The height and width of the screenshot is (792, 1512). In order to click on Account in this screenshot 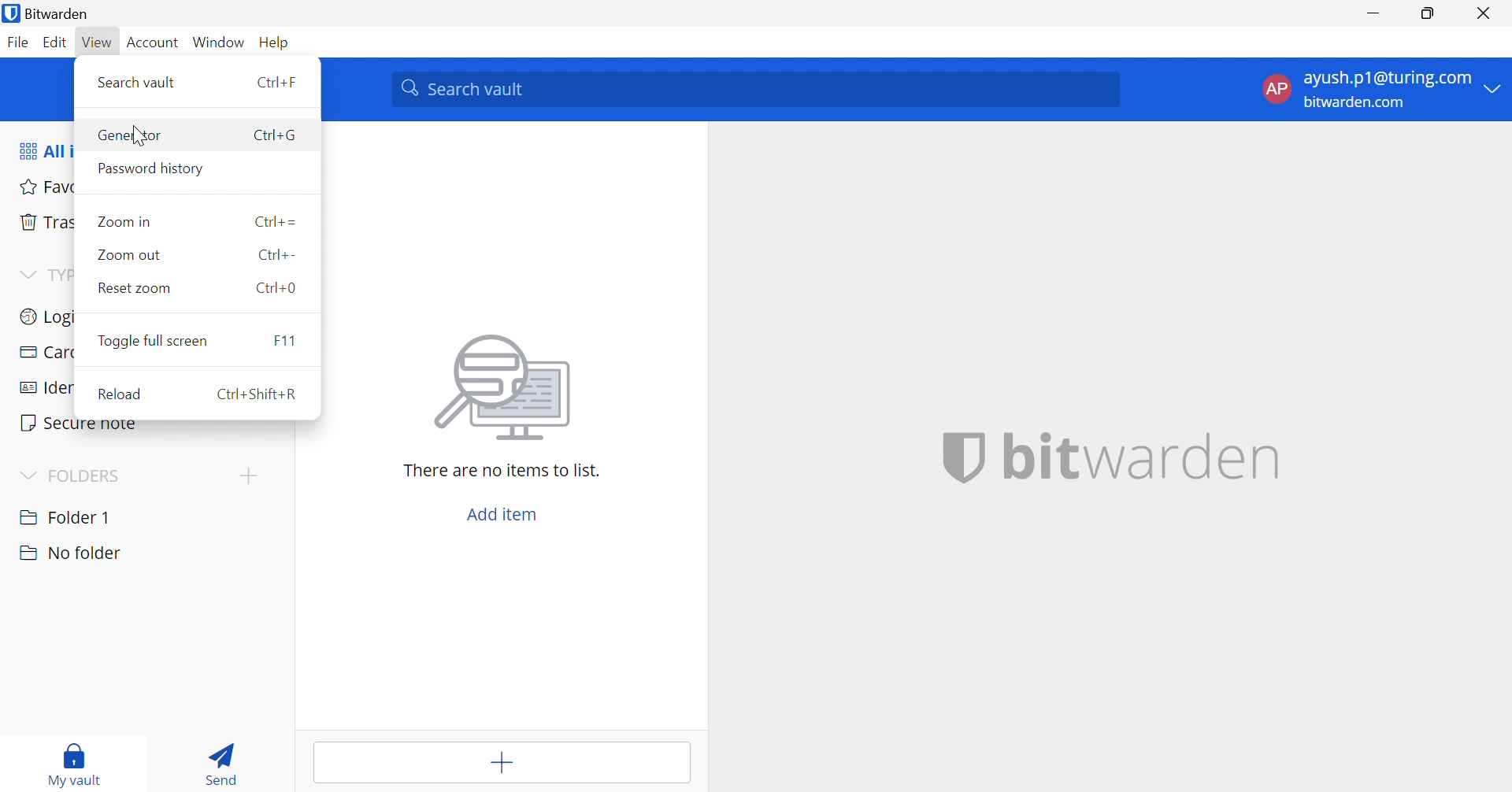, I will do `click(152, 43)`.